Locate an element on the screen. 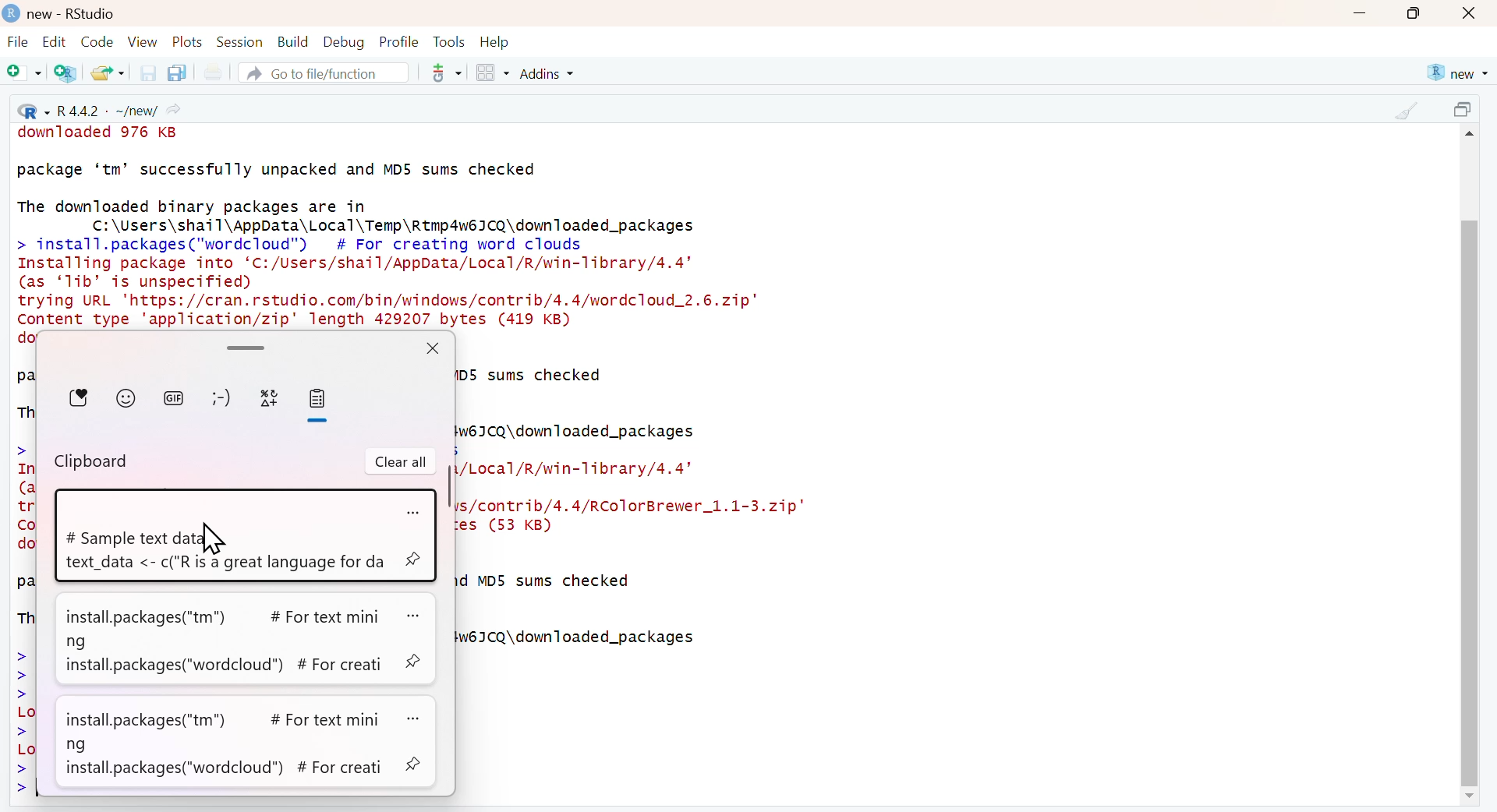 This screenshot has width=1497, height=812. Create a project is located at coordinates (65, 73).